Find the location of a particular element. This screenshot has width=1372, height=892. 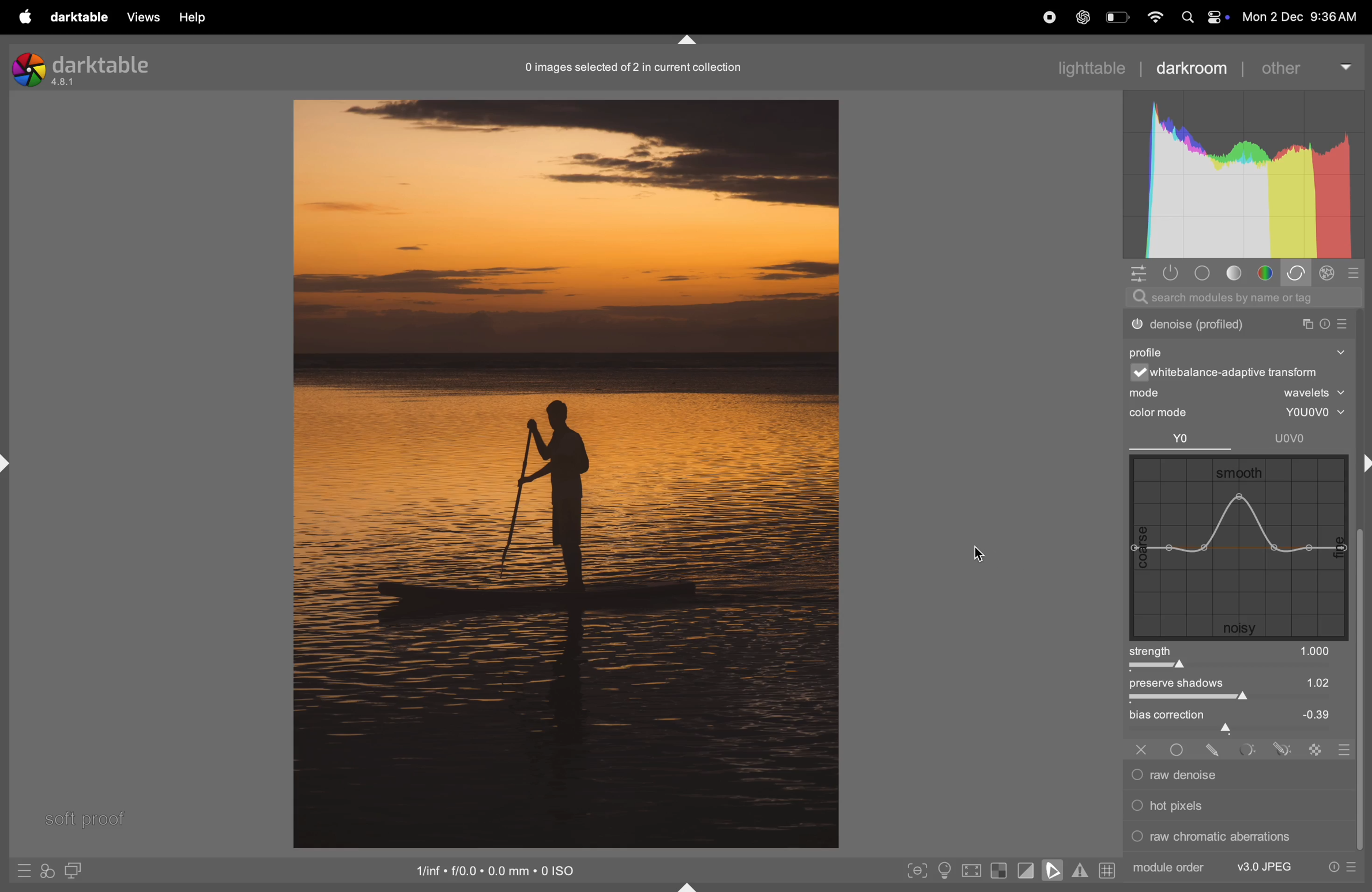

colors is located at coordinates (1267, 273).